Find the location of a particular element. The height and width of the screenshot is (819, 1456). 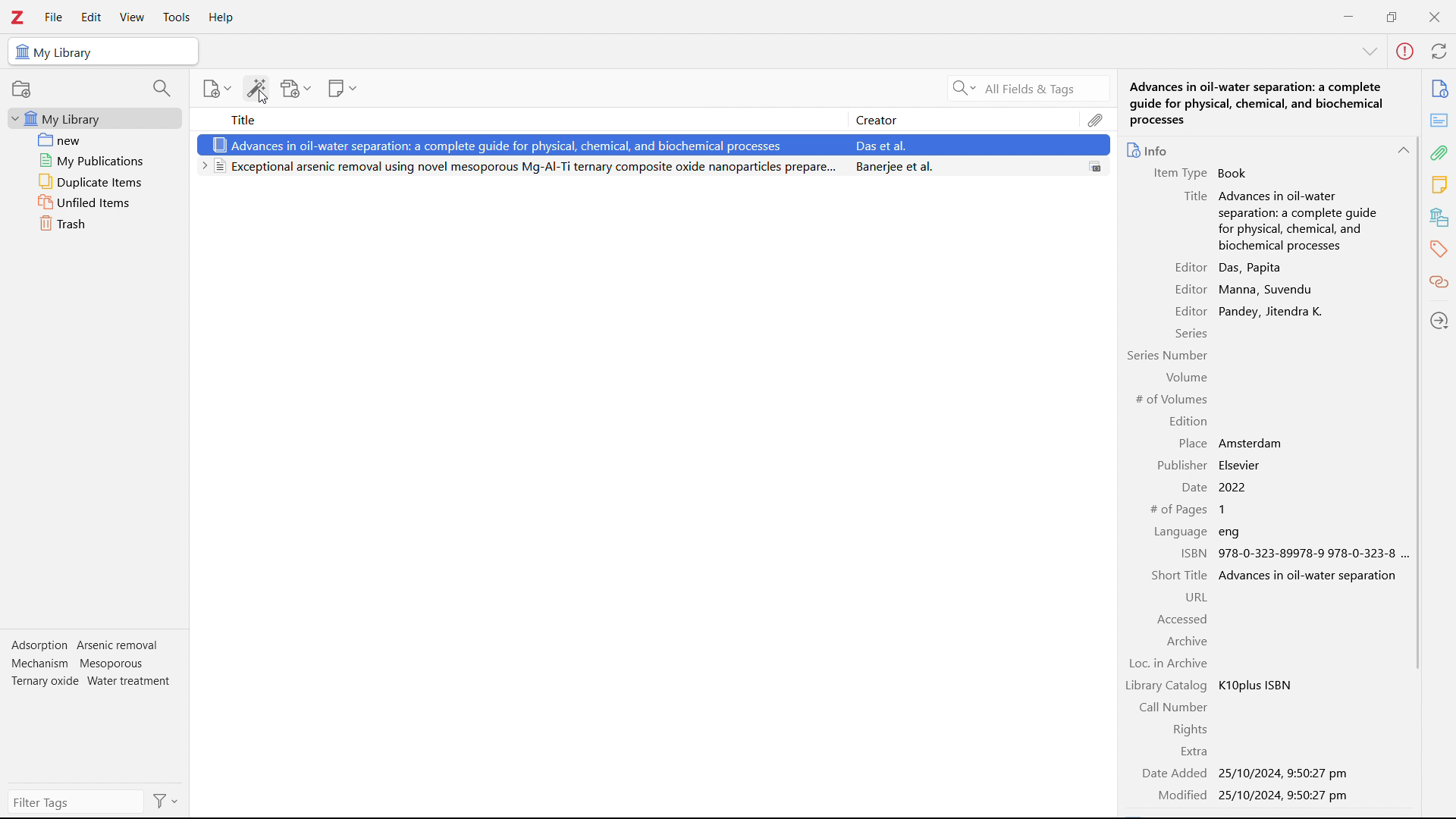

Series number is located at coordinates (1167, 355).